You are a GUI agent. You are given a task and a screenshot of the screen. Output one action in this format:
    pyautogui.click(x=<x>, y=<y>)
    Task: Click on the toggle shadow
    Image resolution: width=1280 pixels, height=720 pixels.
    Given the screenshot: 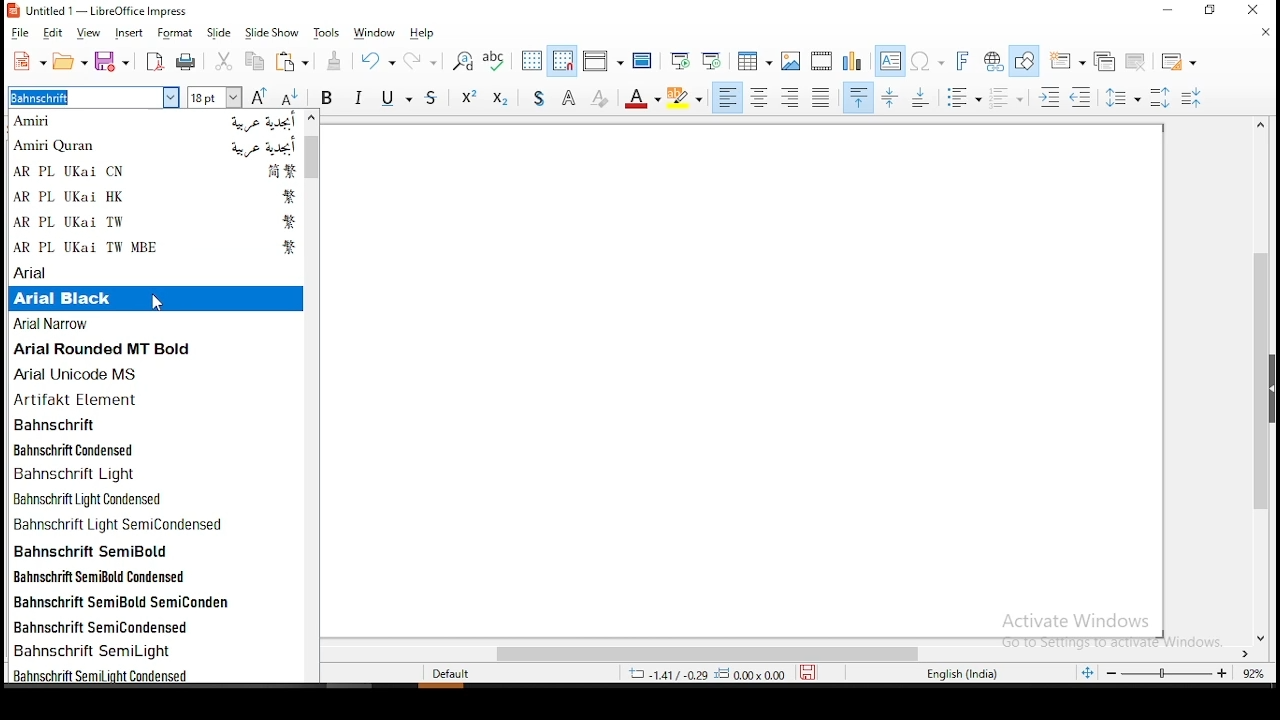 What is the action you would take?
    pyautogui.click(x=535, y=98)
    